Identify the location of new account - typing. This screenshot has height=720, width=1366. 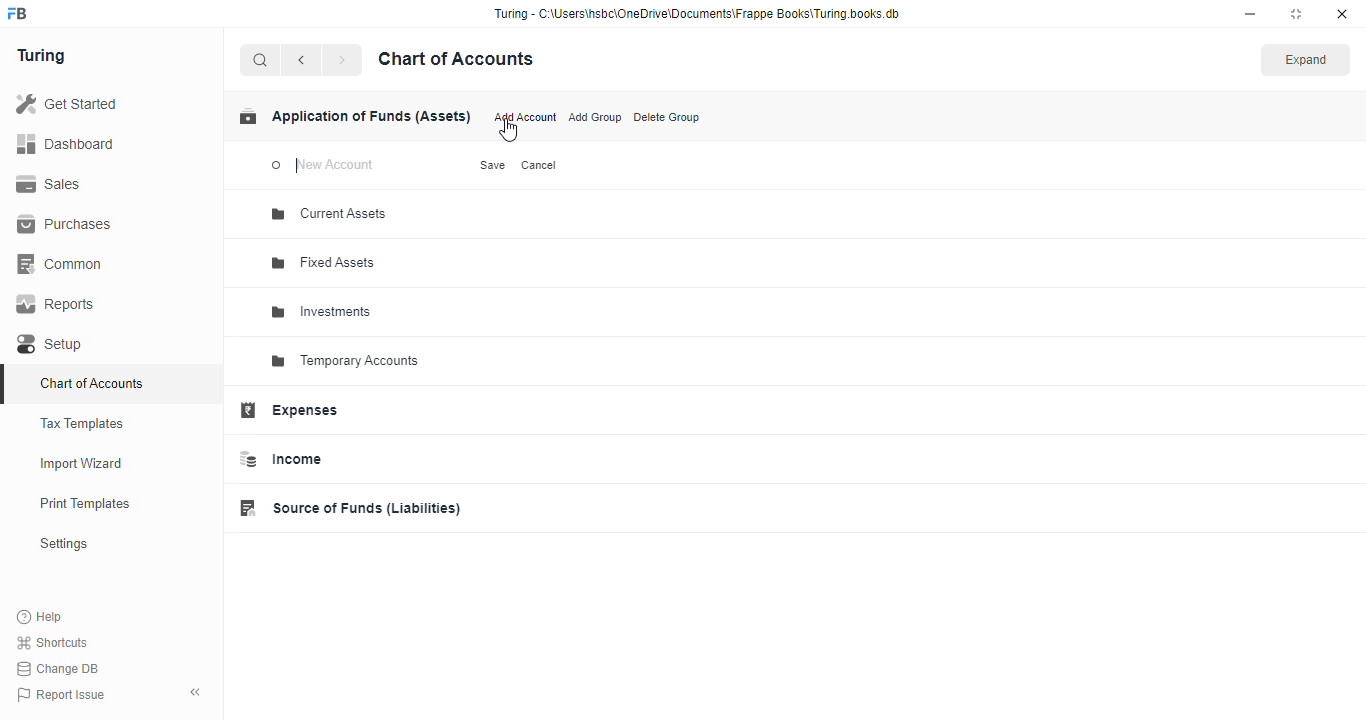
(327, 165).